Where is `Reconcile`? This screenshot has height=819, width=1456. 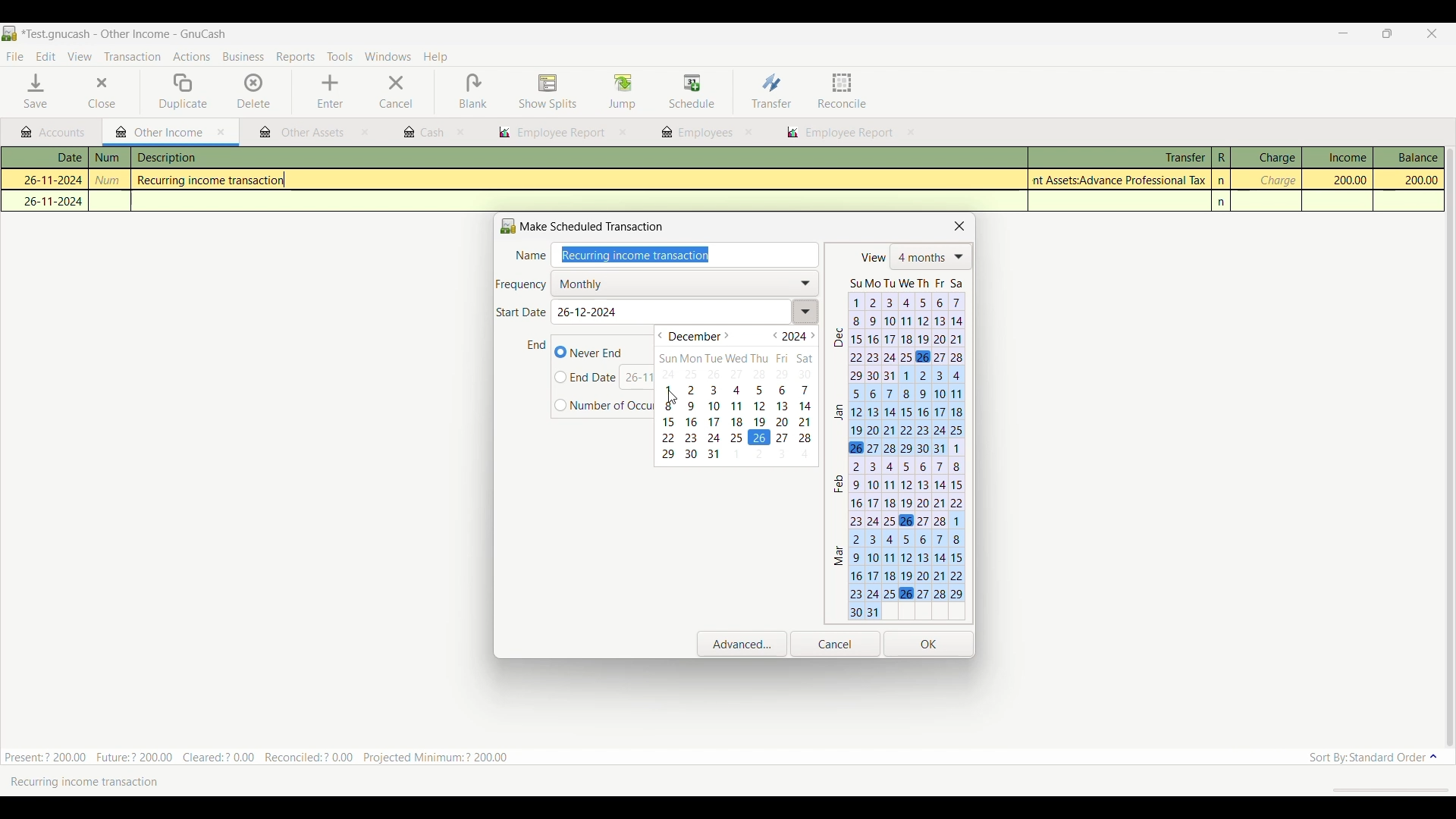 Reconcile is located at coordinates (843, 90).